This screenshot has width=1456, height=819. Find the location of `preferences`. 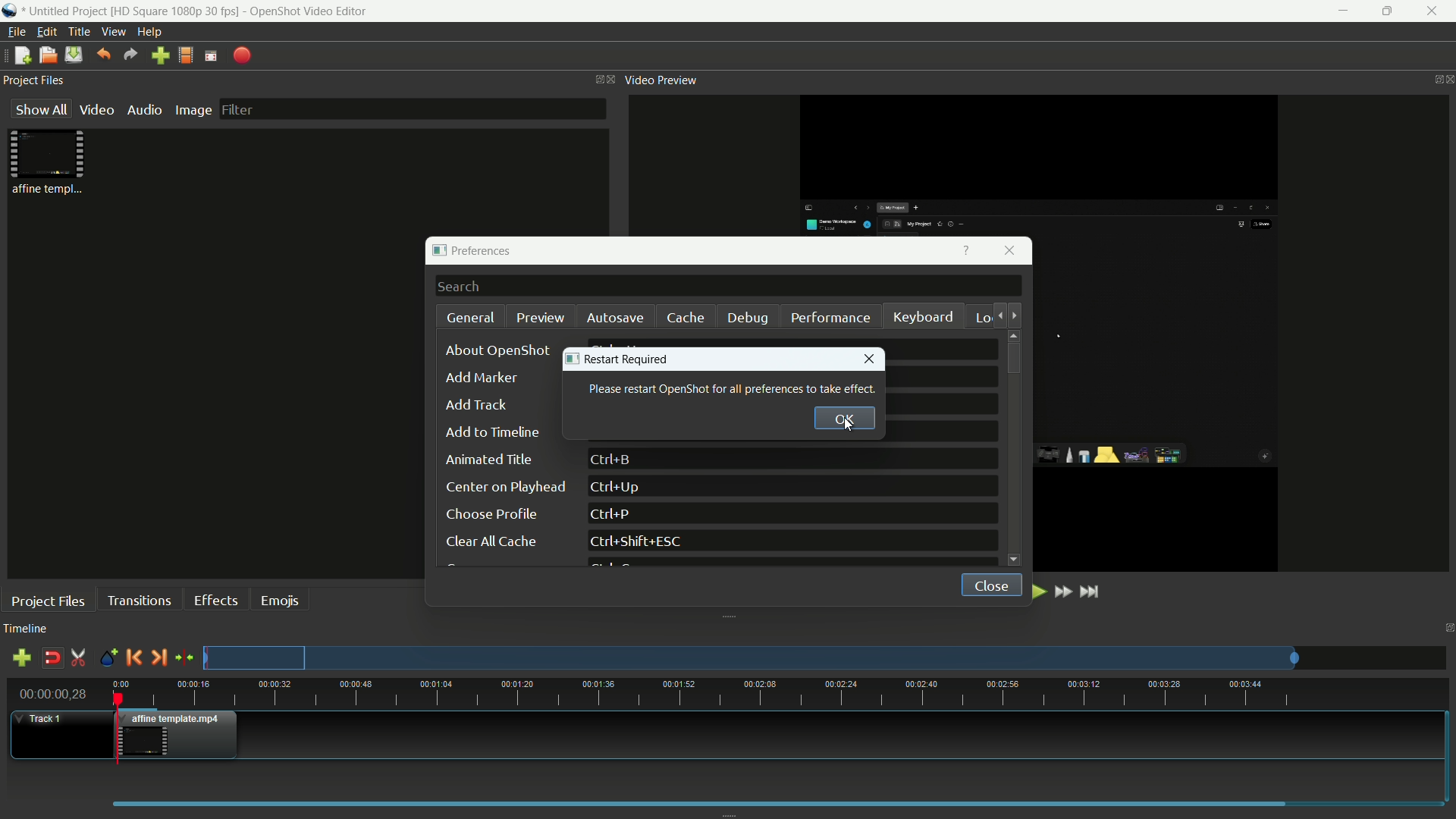

preferences is located at coordinates (477, 252).